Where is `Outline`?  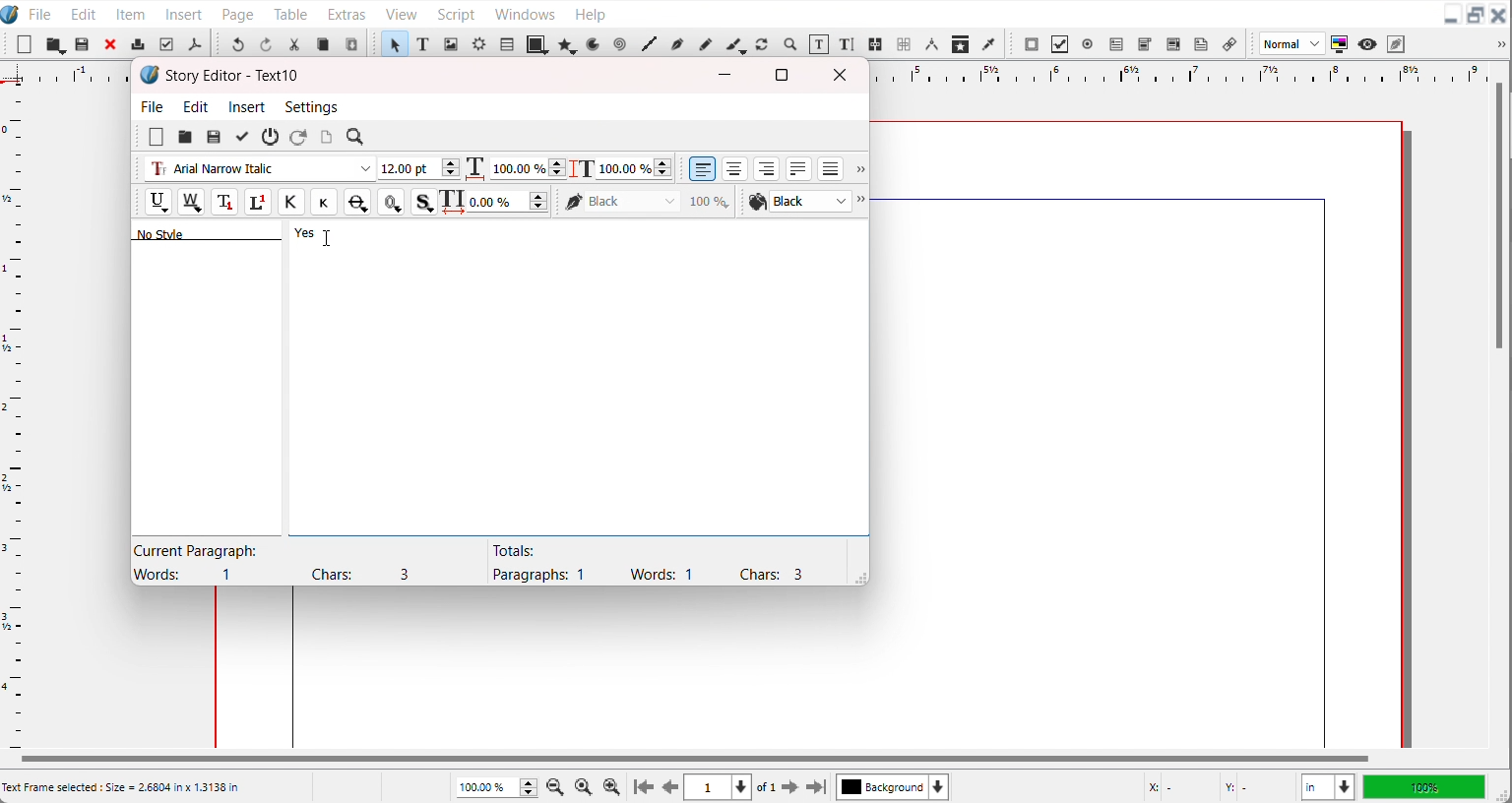 Outline is located at coordinates (391, 202).